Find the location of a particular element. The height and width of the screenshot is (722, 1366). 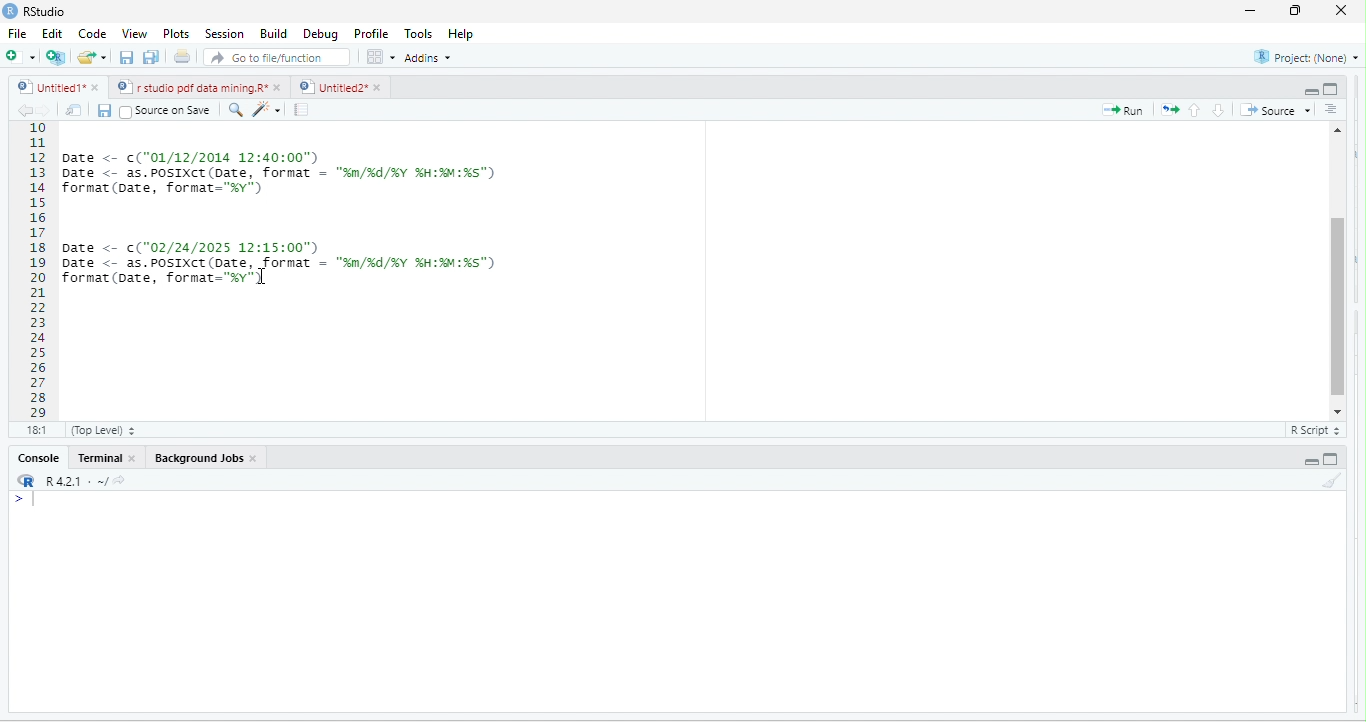

View is located at coordinates (134, 33).